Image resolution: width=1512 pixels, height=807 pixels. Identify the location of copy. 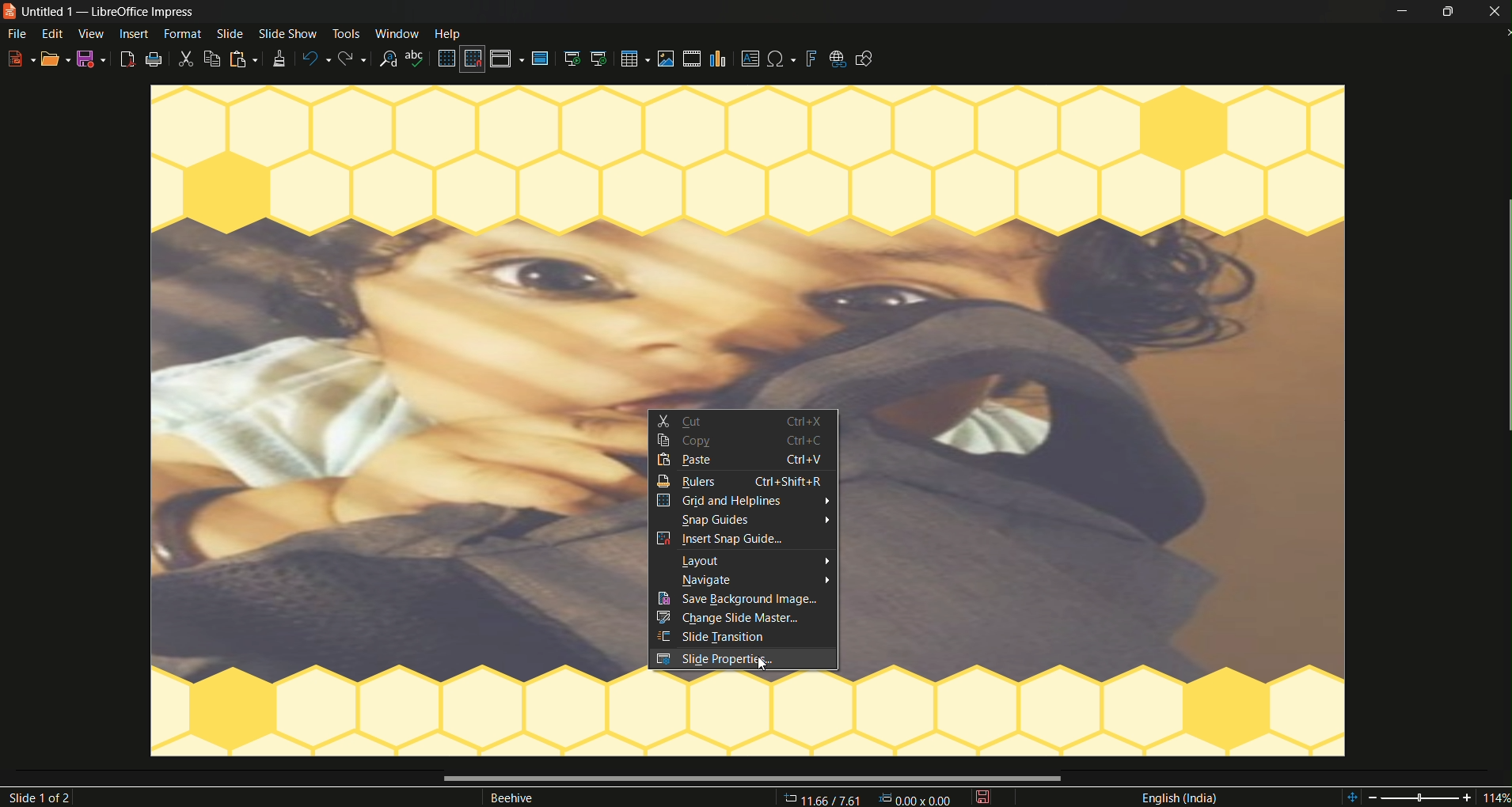
(686, 440).